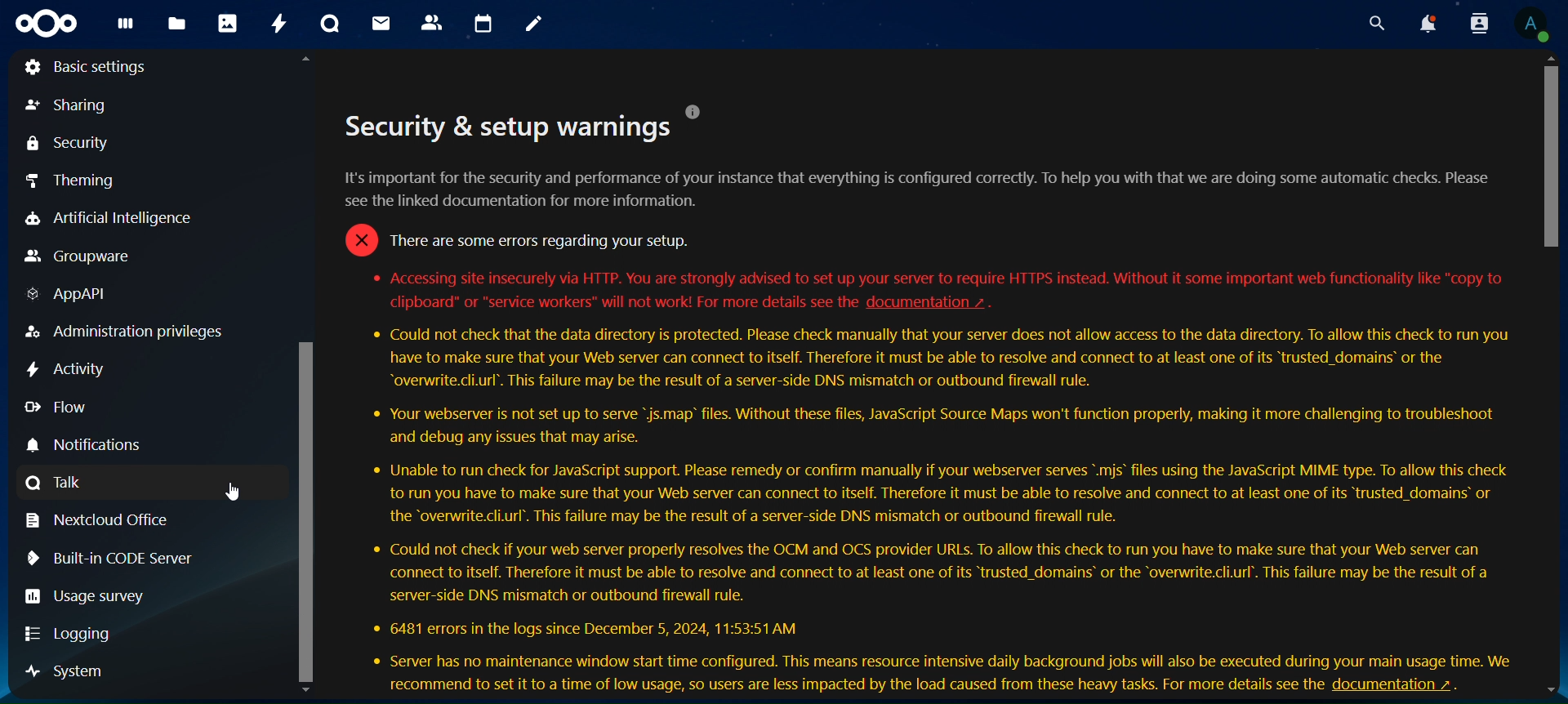  I want to click on Artificial Intelligence , so click(109, 220).